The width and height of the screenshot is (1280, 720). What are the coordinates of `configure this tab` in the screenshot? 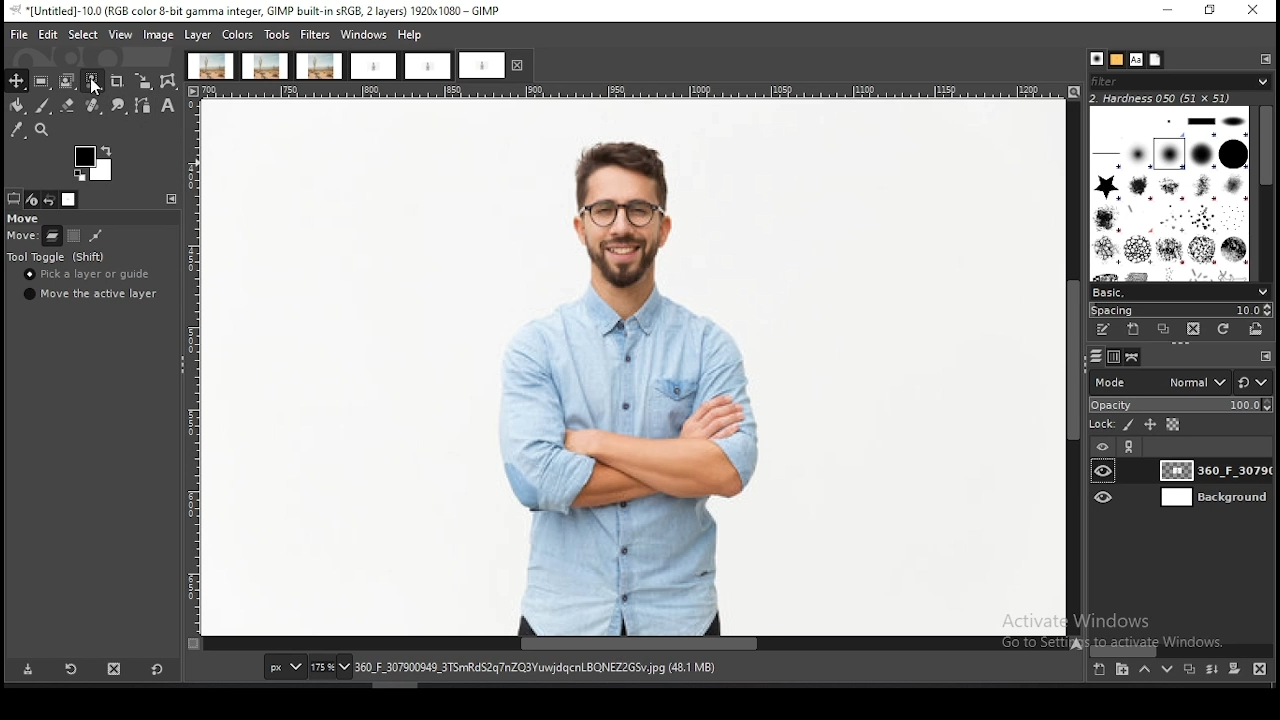 It's located at (1262, 60).